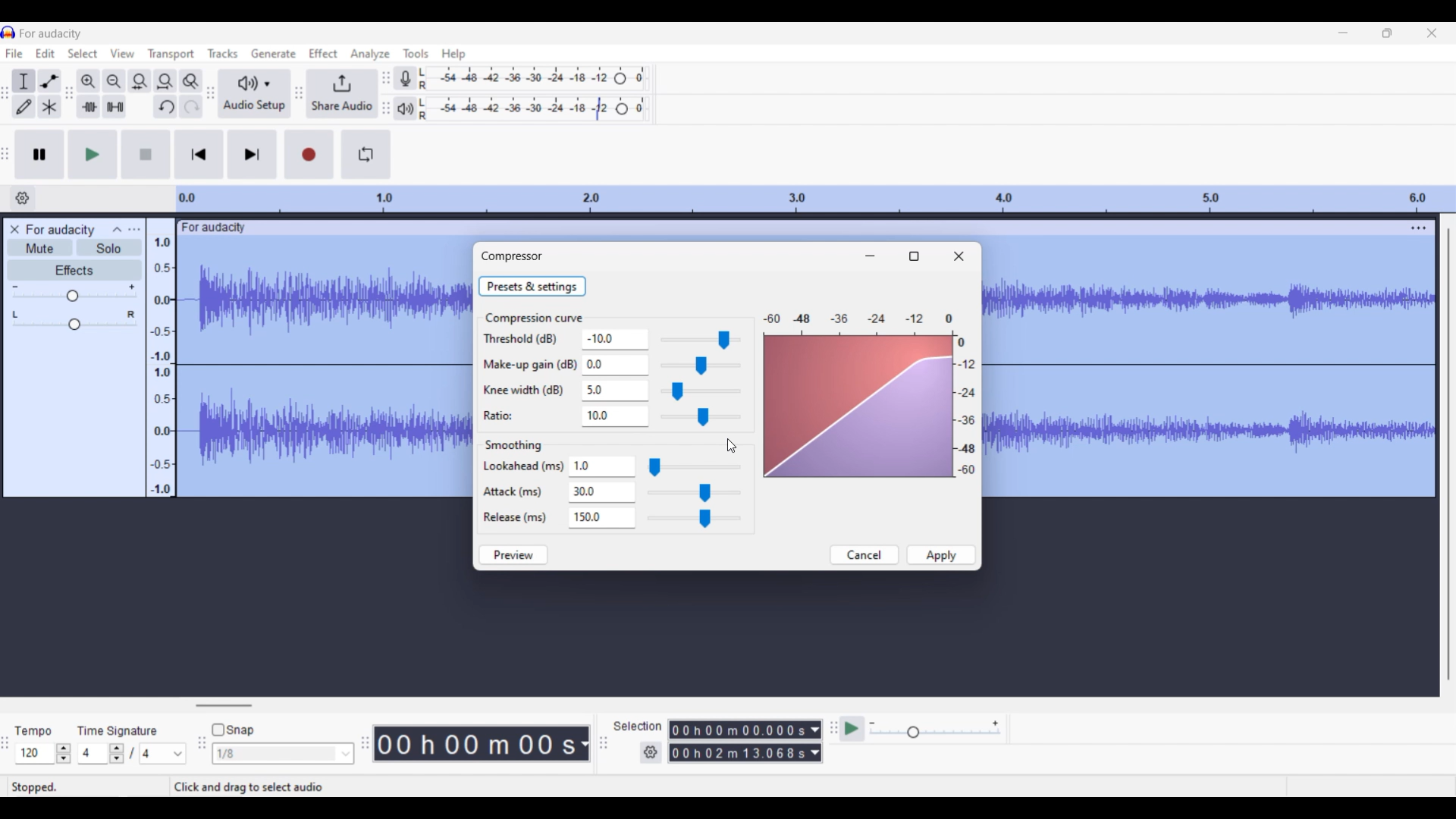 This screenshot has width=1456, height=819. Describe the element at coordinates (341, 94) in the screenshot. I see `Share audio` at that location.